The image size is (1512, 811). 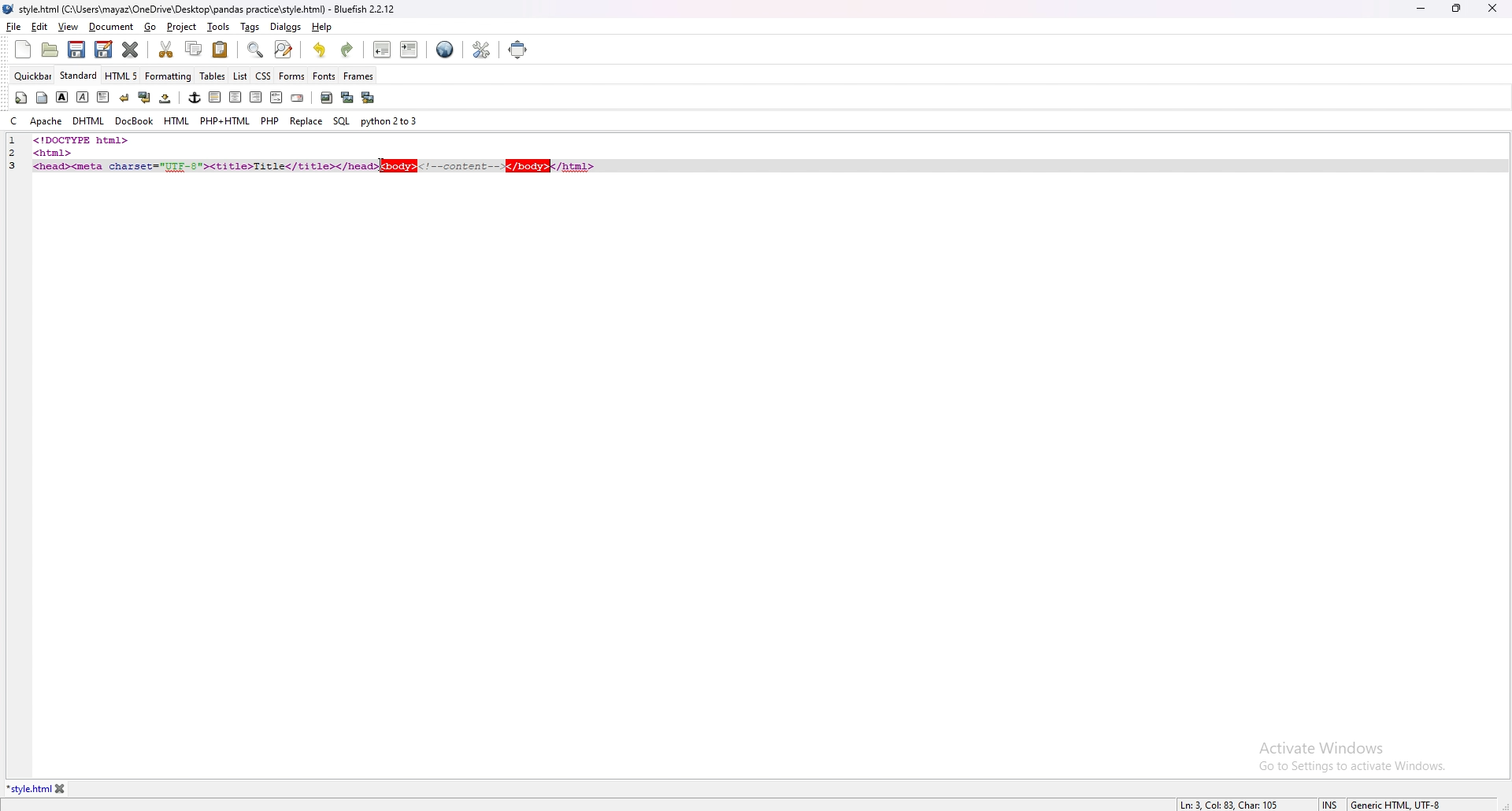 What do you see at coordinates (346, 50) in the screenshot?
I see `redo` at bounding box center [346, 50].